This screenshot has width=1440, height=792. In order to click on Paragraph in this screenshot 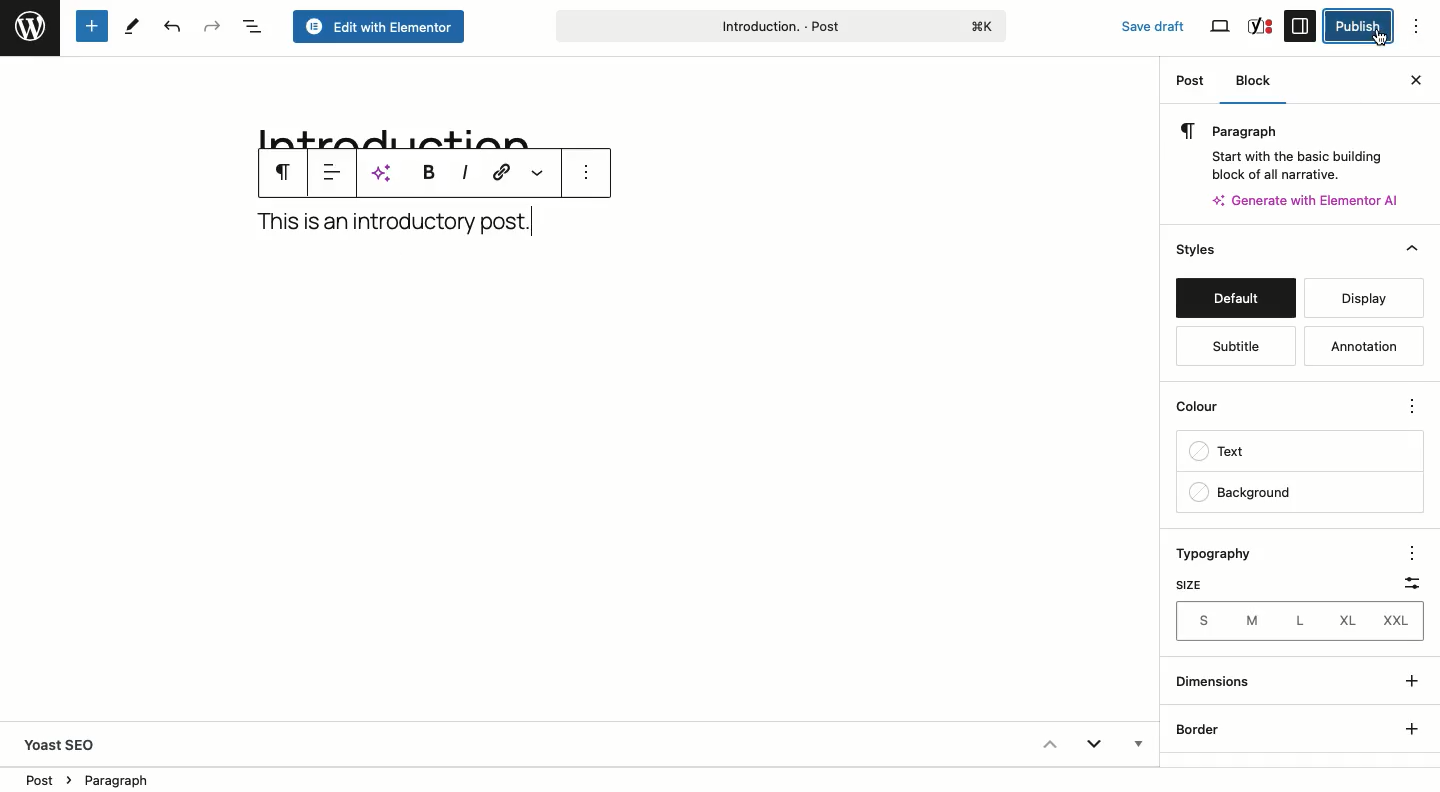, I will do `click(1292, 148)`.